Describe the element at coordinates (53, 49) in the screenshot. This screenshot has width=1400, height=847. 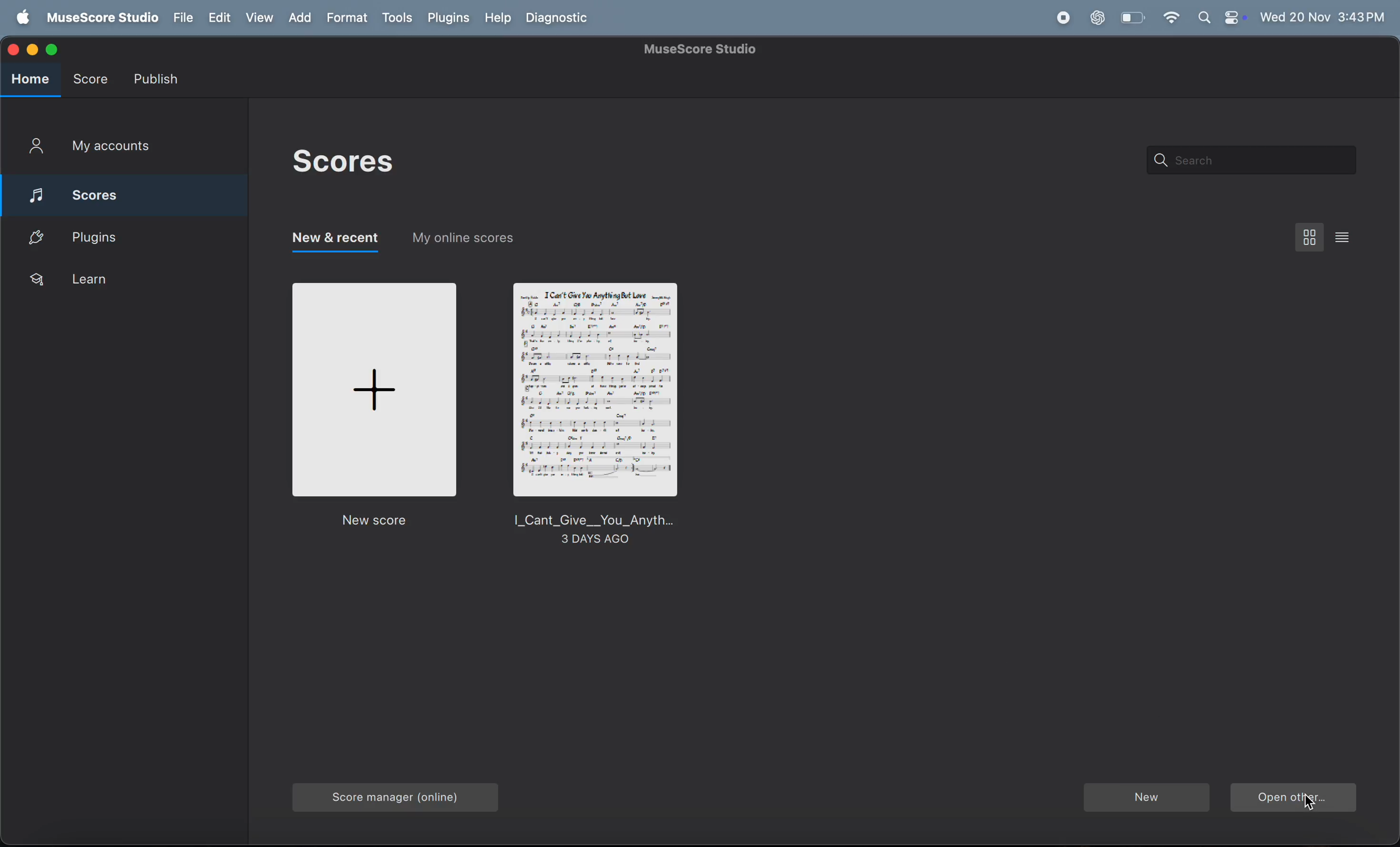
I see `maximize` at that location.